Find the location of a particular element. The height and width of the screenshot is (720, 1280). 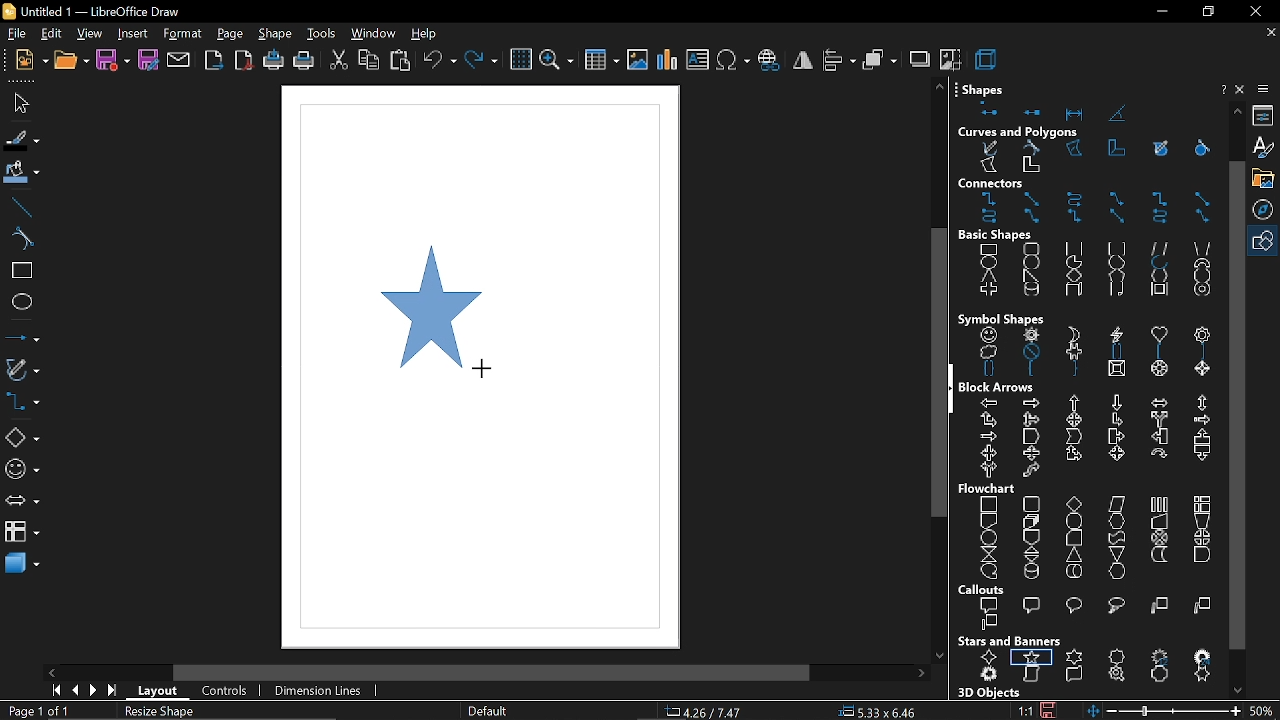

restore down is located at coordinates (1210, 13).